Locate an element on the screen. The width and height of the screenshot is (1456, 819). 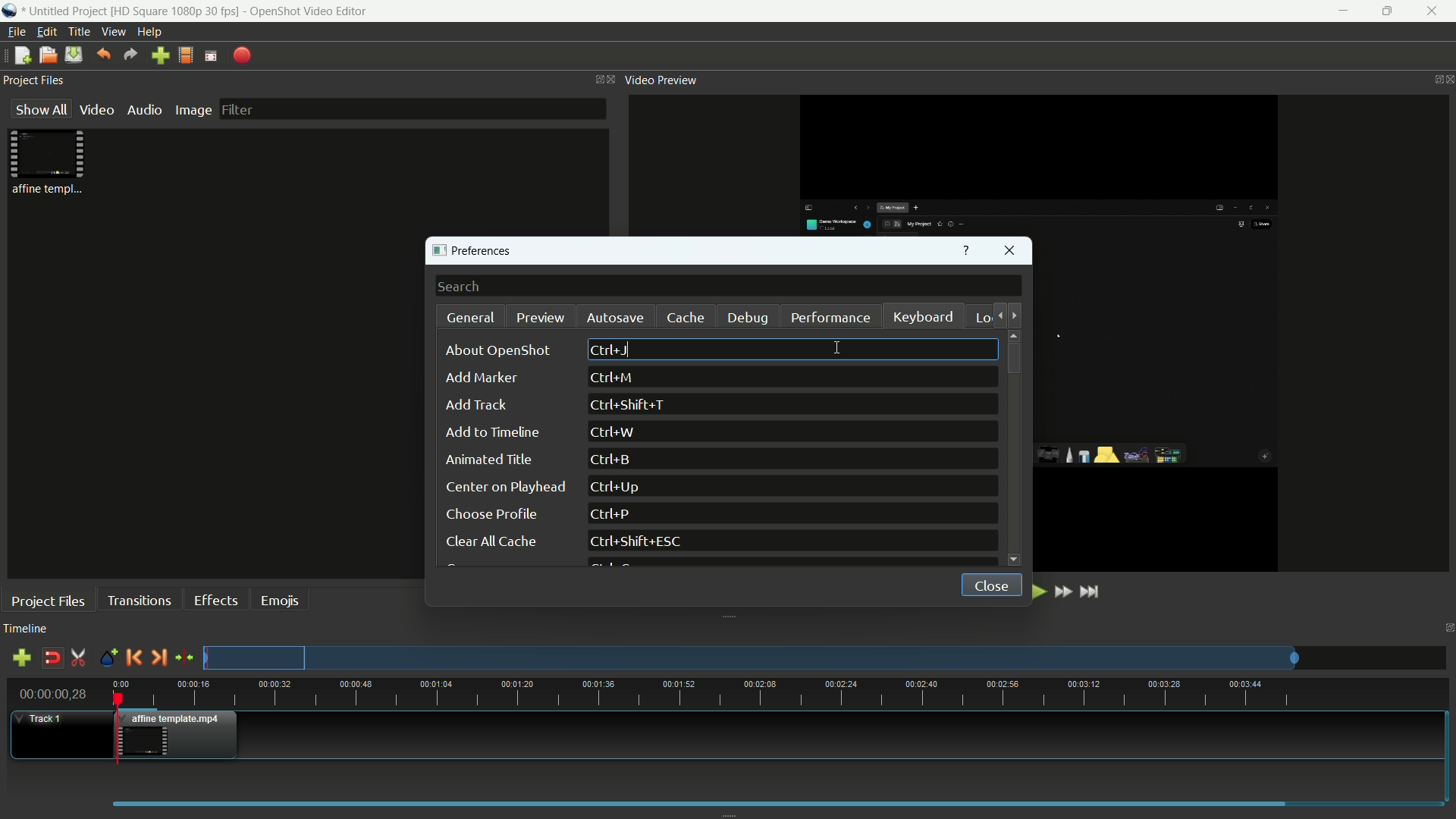
fast forward is located at coordinates (1065, 592).